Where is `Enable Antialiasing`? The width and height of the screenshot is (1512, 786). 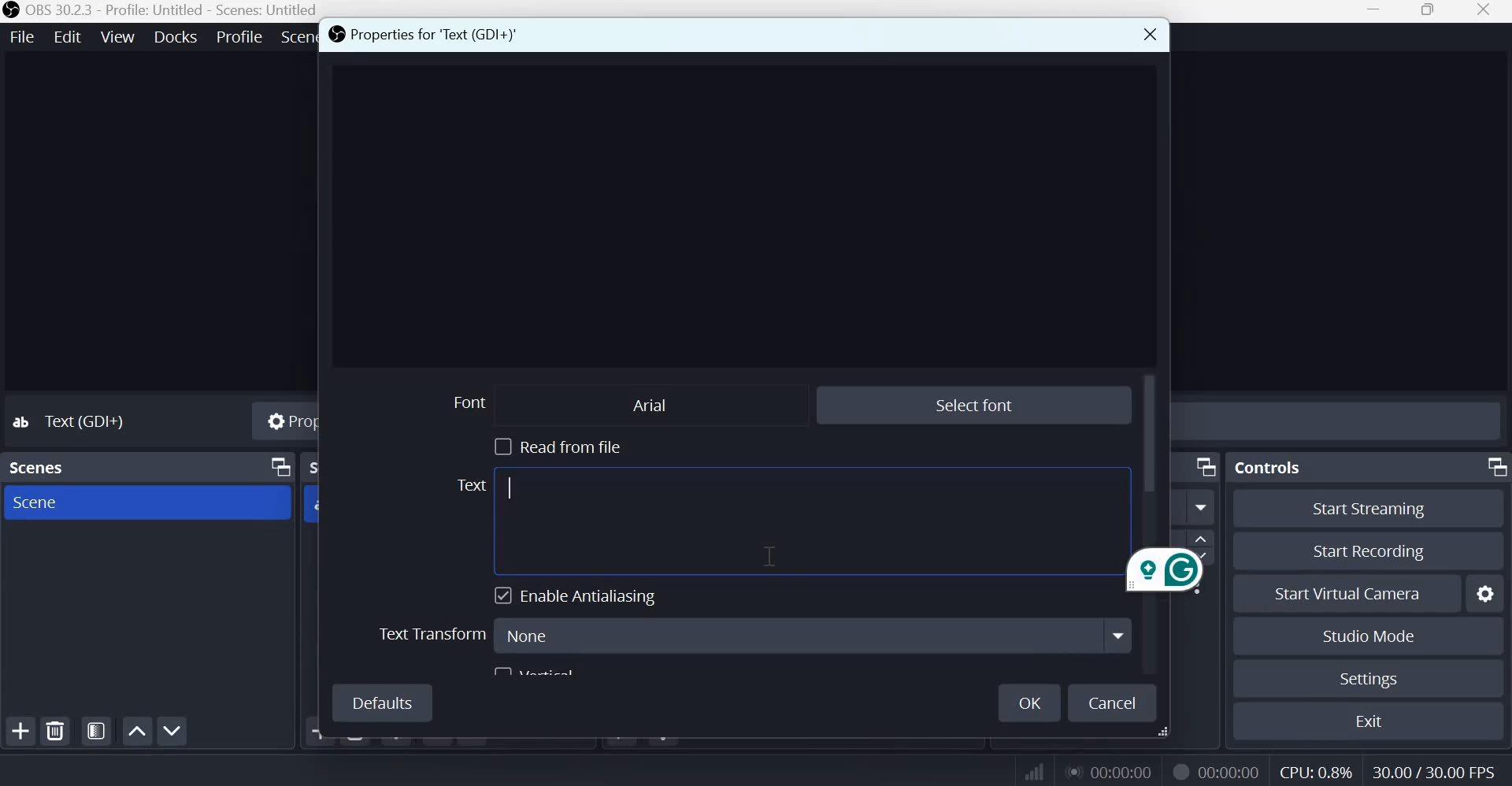 Enable Antialiasing is located at coordinates (580, 595).